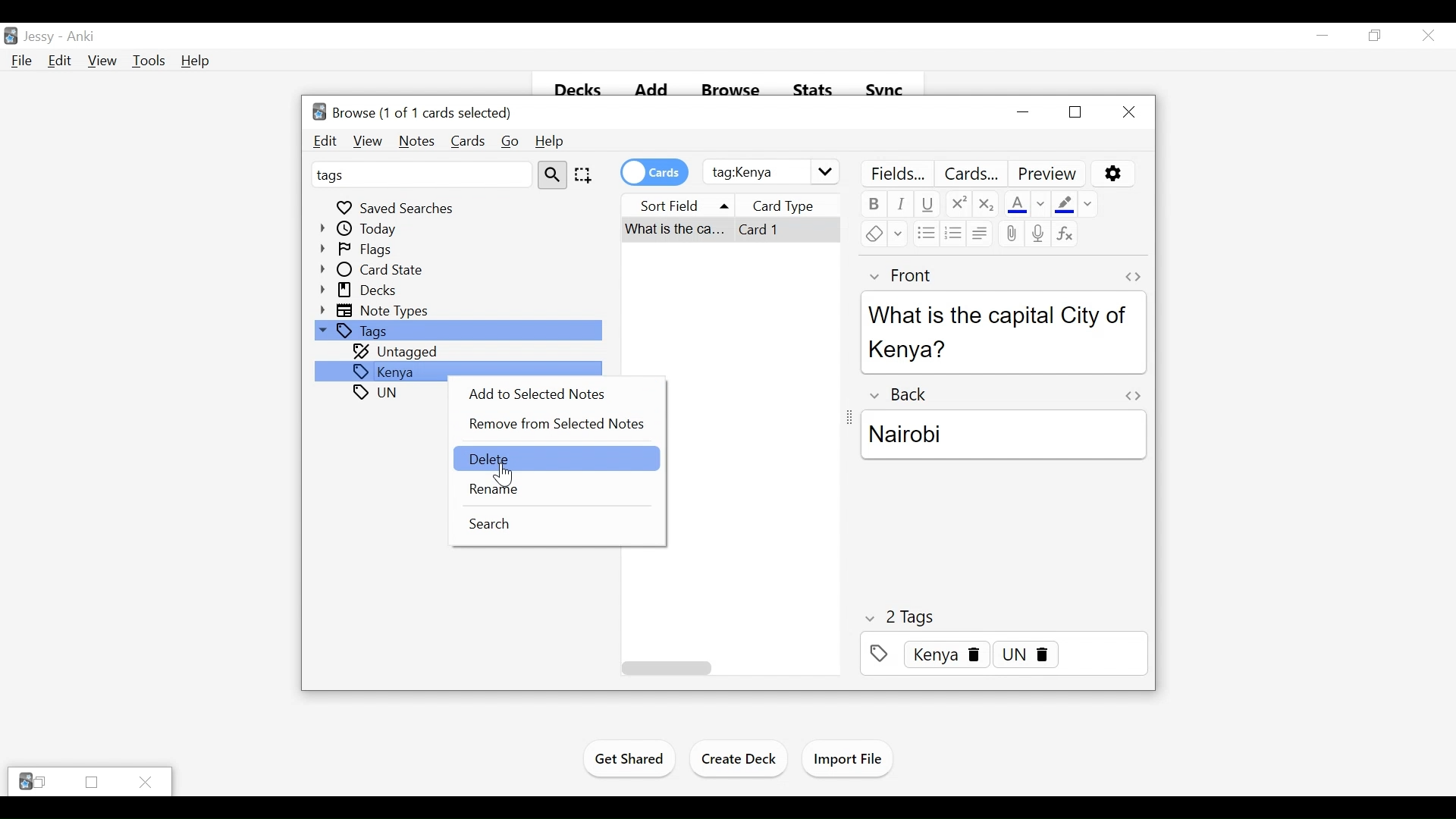 This screenshot has width=1456, height=819. Describe the element at coordinates (377, 310) in the screenshot. I see `Note Types` at that location.